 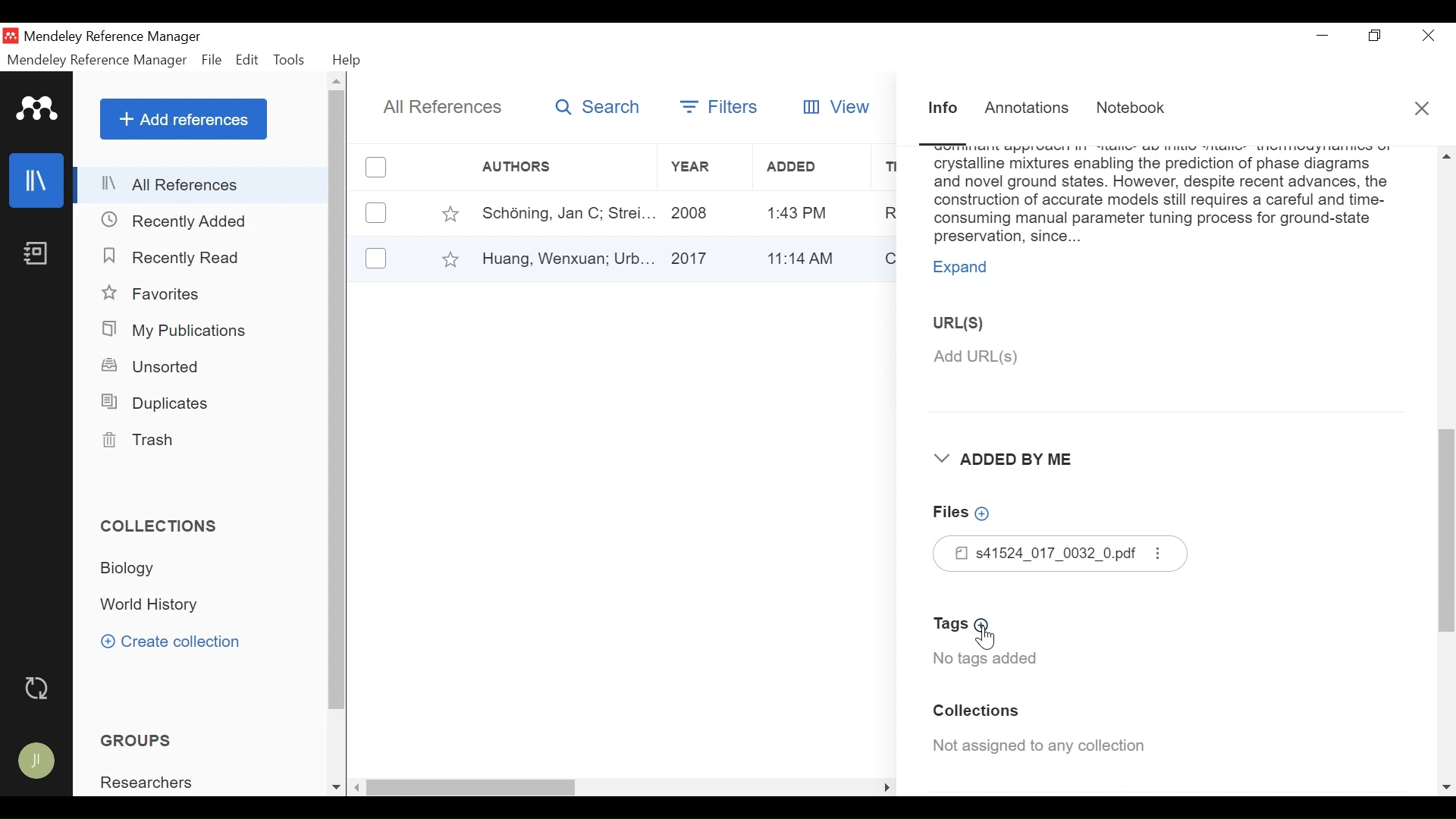 I want to click on Filters, so click(x=717, y=106).